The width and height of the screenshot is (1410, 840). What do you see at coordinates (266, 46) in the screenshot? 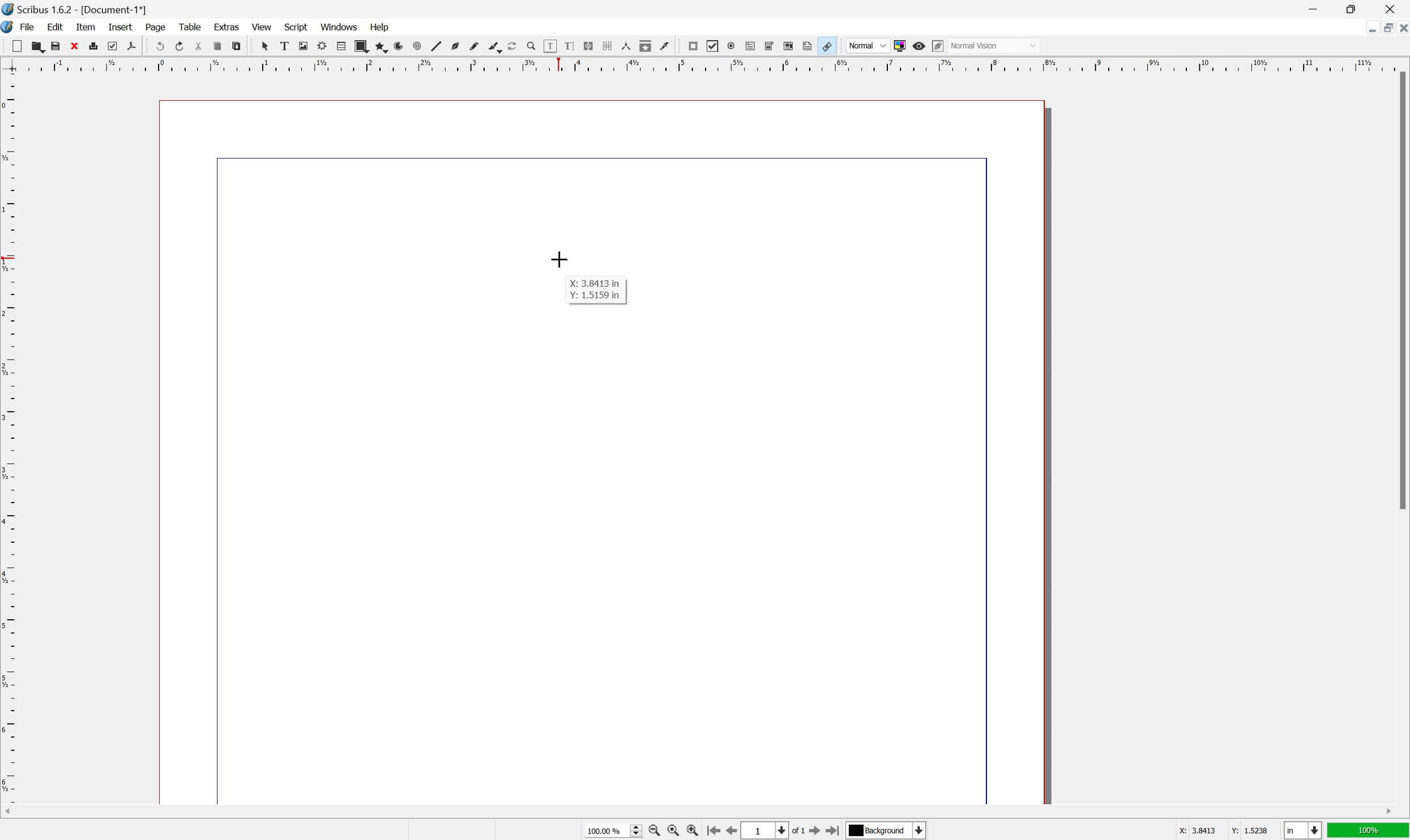
I see `select item` at bounding box center [266, 46].